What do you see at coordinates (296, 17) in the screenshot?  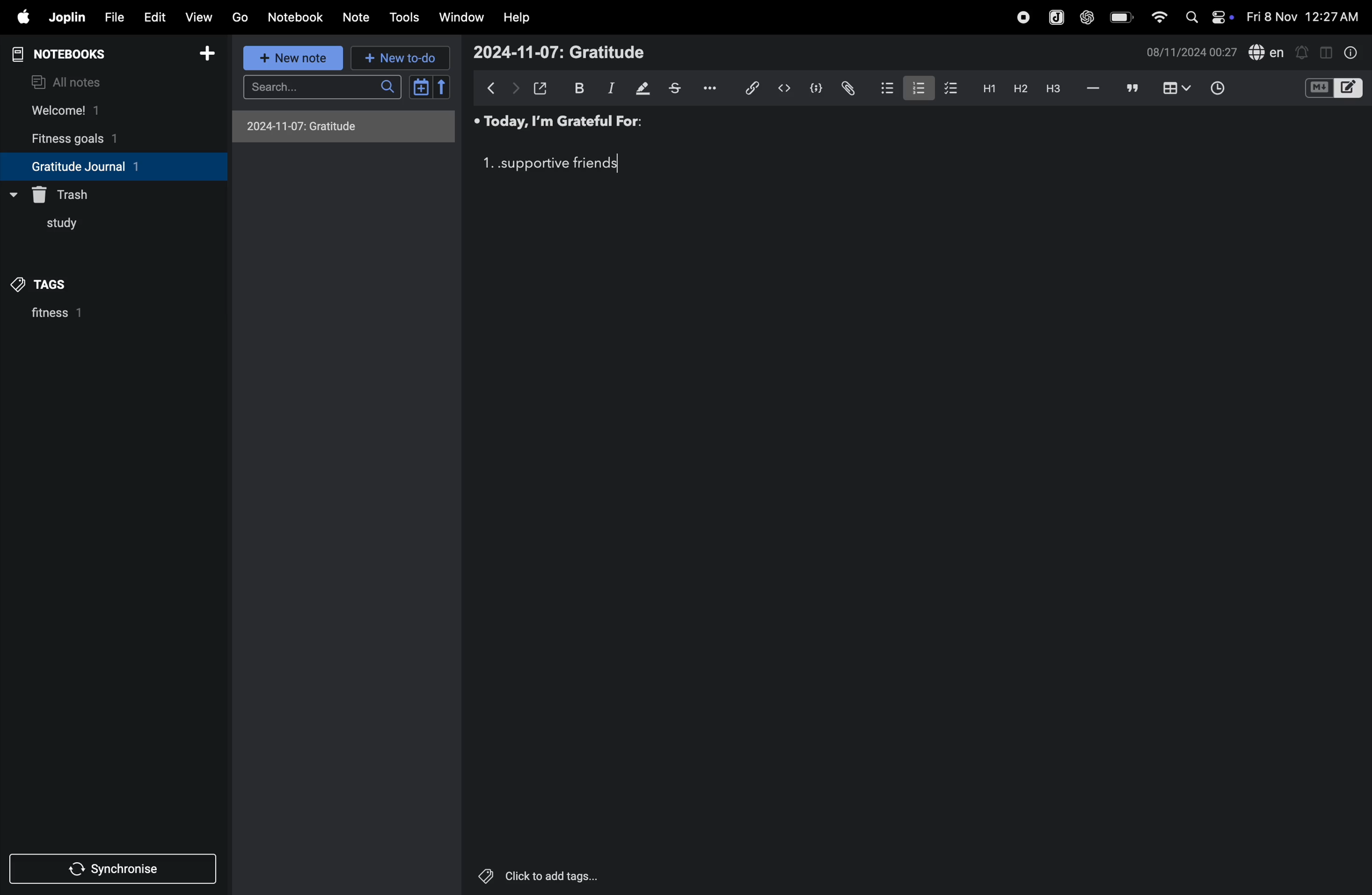 I see `notebook` at bounding box center [296, 17].